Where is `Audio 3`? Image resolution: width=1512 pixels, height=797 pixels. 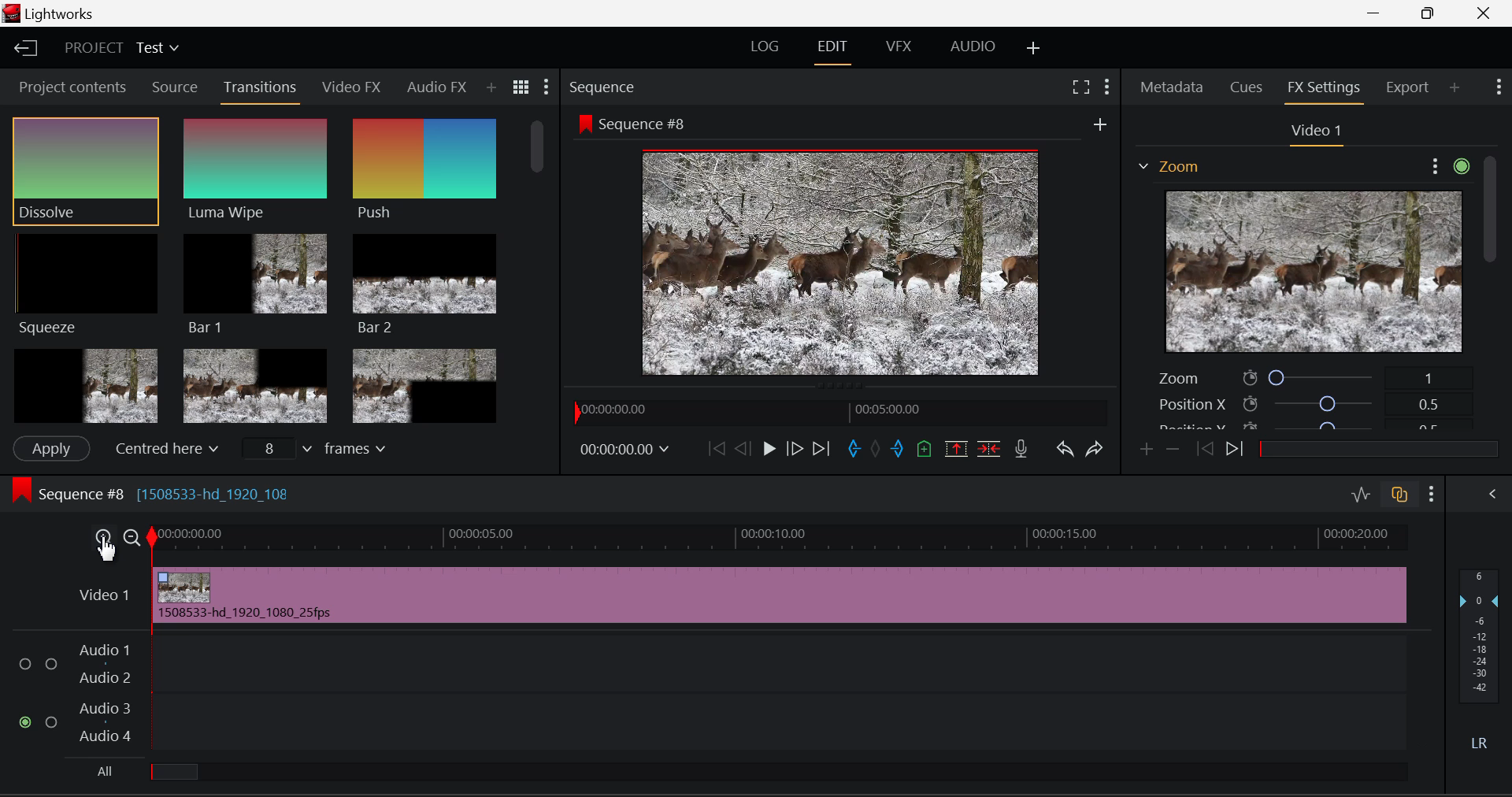
Audio 3 is located at coordinates (104, 708).